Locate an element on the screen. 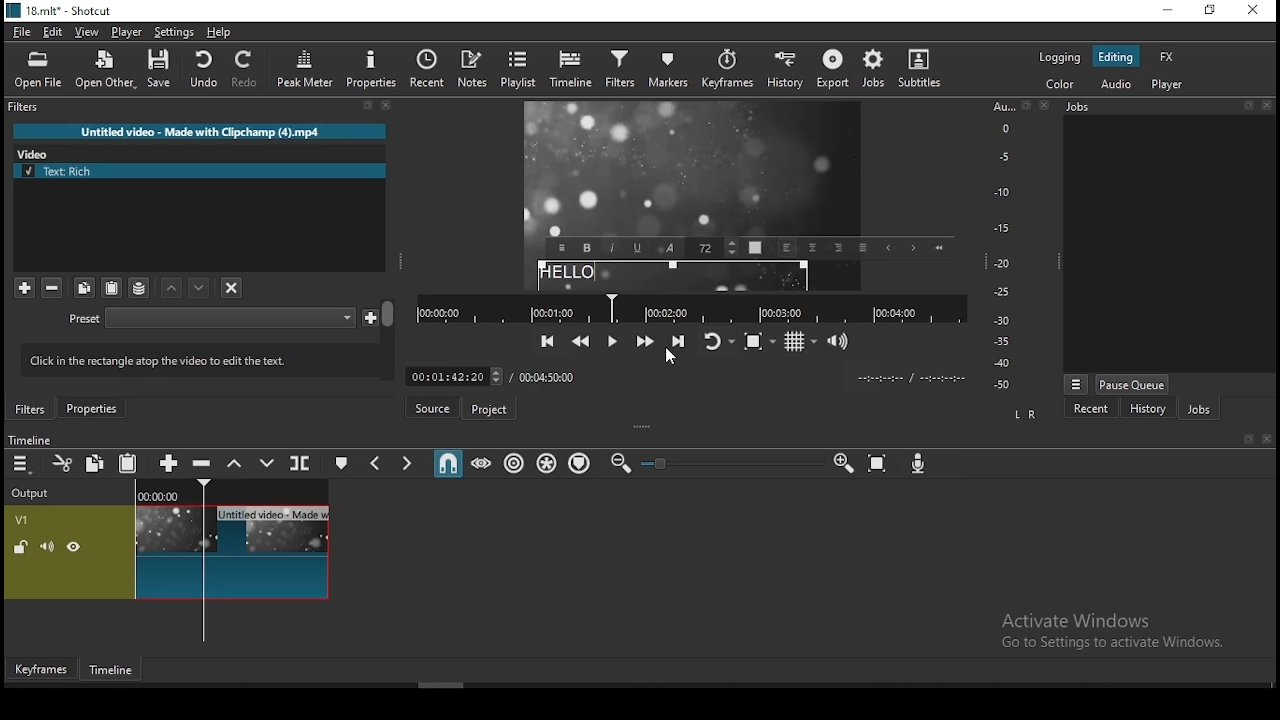 Image resolution: width=1280 pixels, height=720 pixels. keyframes is located at coordinates (42, 669).